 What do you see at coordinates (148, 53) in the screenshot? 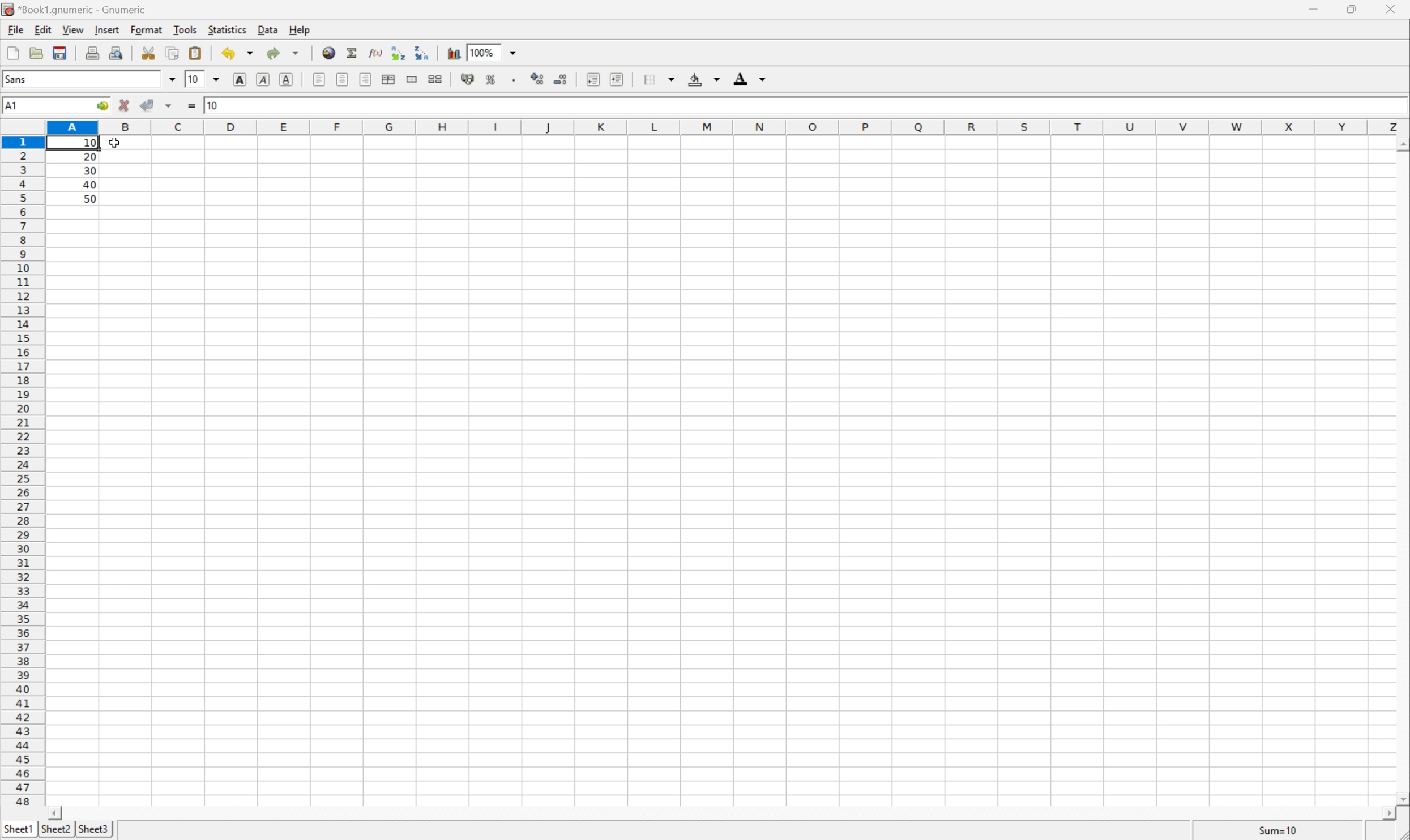
I see `Cut selection` at bounding box center [148, 53].